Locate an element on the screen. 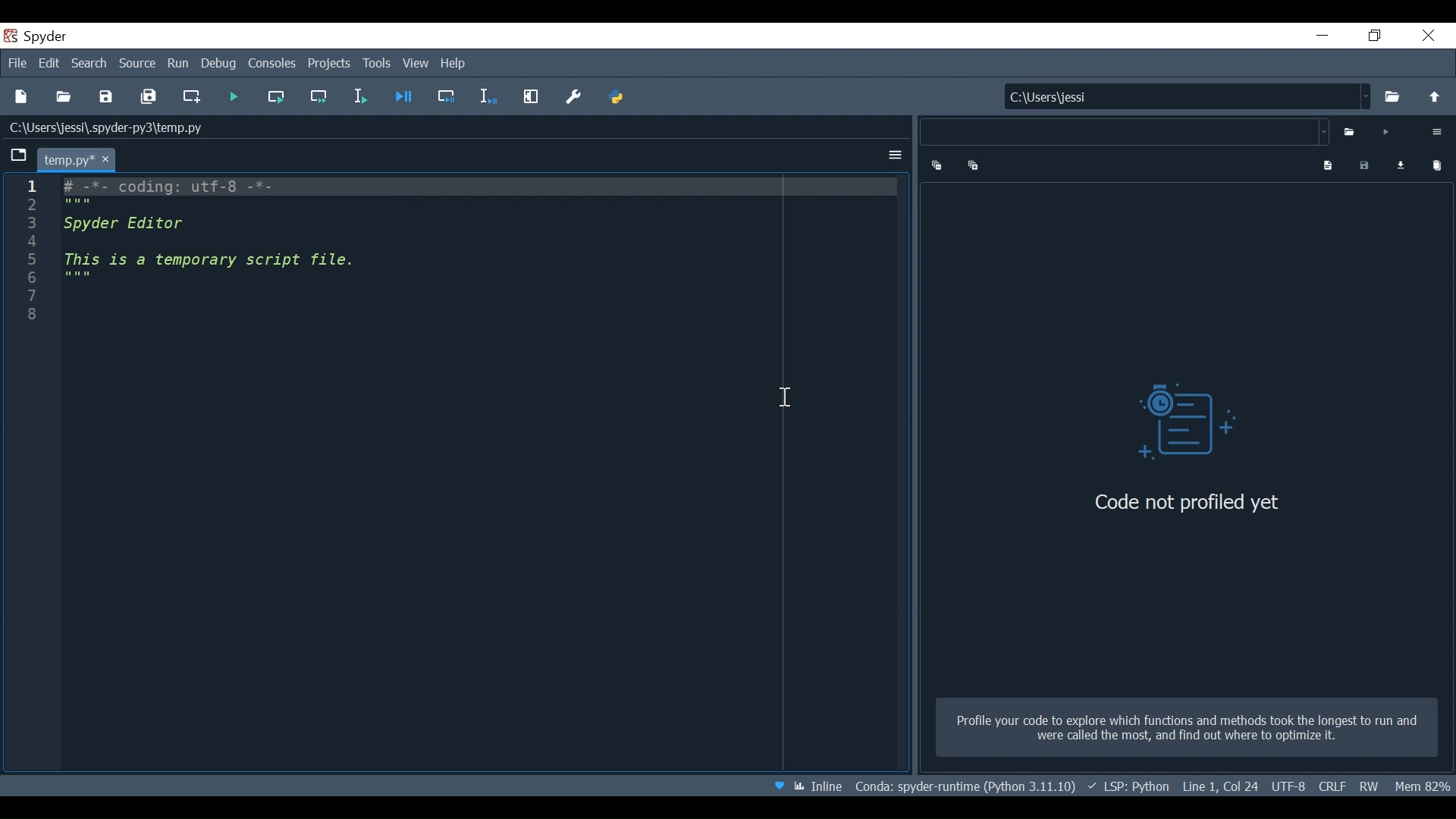  Profiler Vsual icon is located at coordinates (1180, 420).